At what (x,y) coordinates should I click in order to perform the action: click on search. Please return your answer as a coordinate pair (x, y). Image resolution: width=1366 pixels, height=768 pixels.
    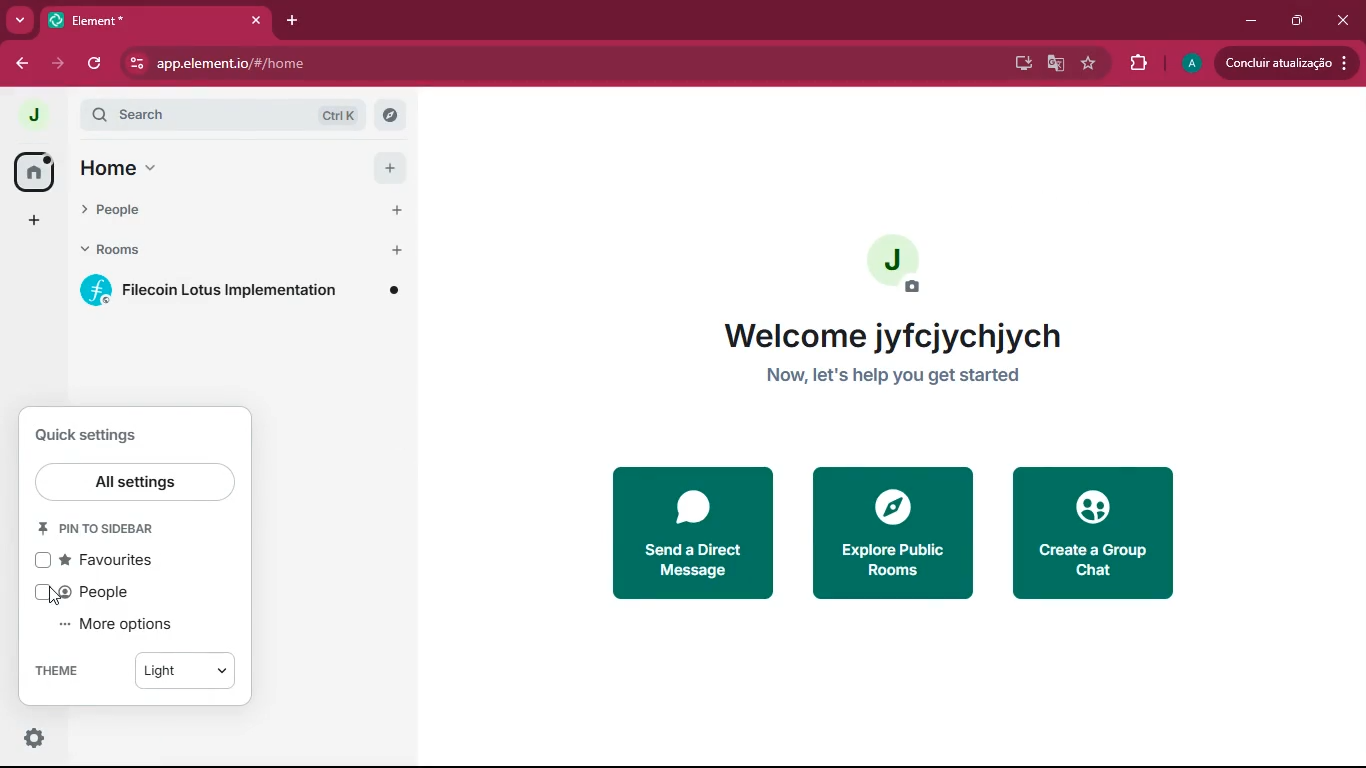
    Looking at the image, I should click on (231, 116).